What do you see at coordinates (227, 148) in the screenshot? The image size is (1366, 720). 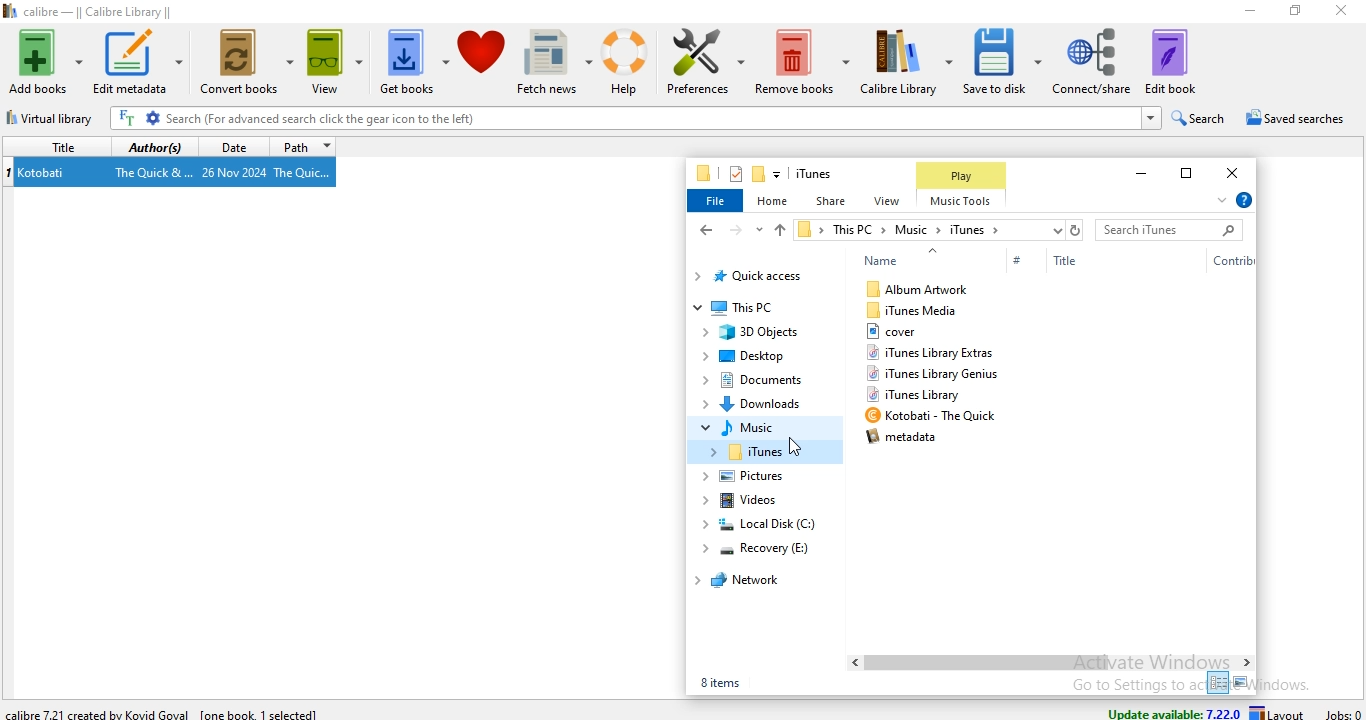 I see `date` at bounding box center [227, 148].